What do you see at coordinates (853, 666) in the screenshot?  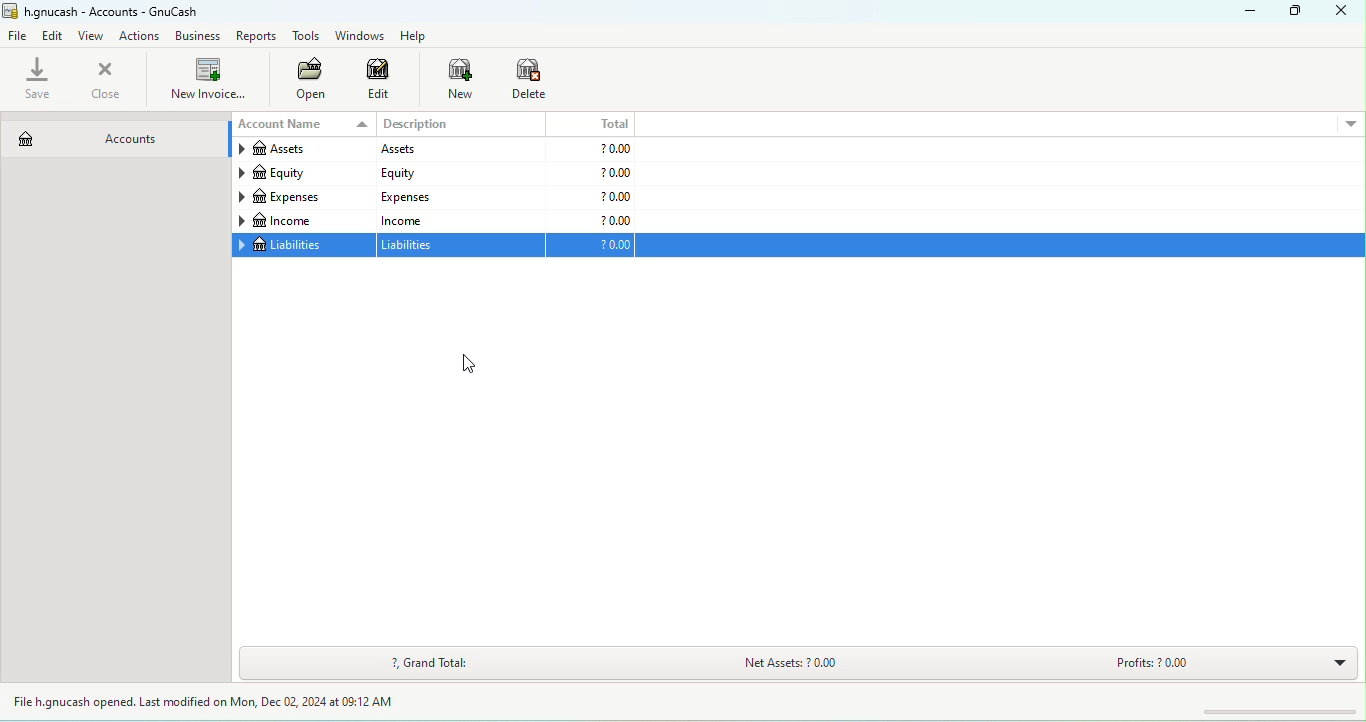 I see `net assets ?0.00` at bounding box center [853, 666].